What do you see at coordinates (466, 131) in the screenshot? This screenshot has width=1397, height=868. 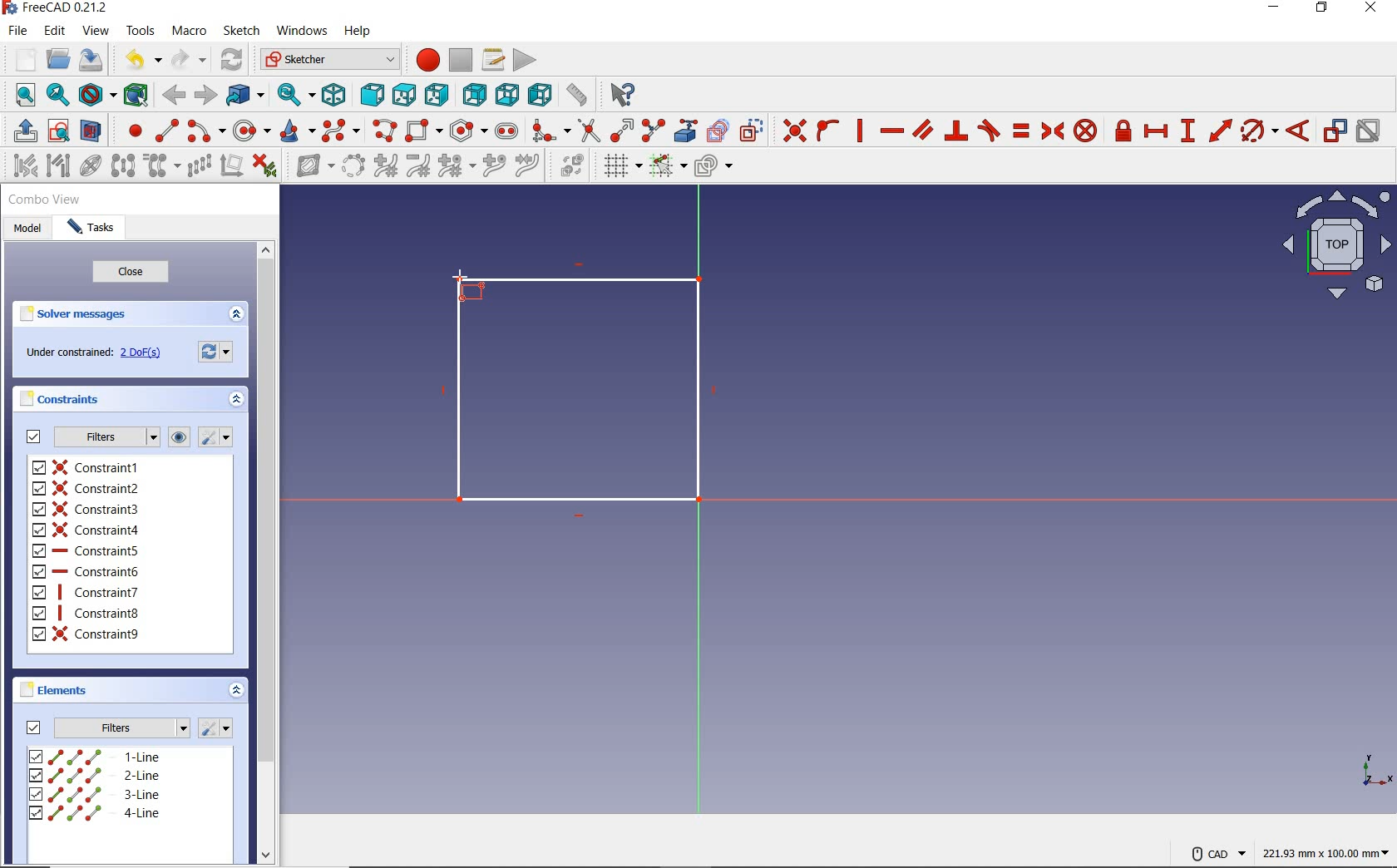 I see `create regular polygon` at bounding box center [466, 131].